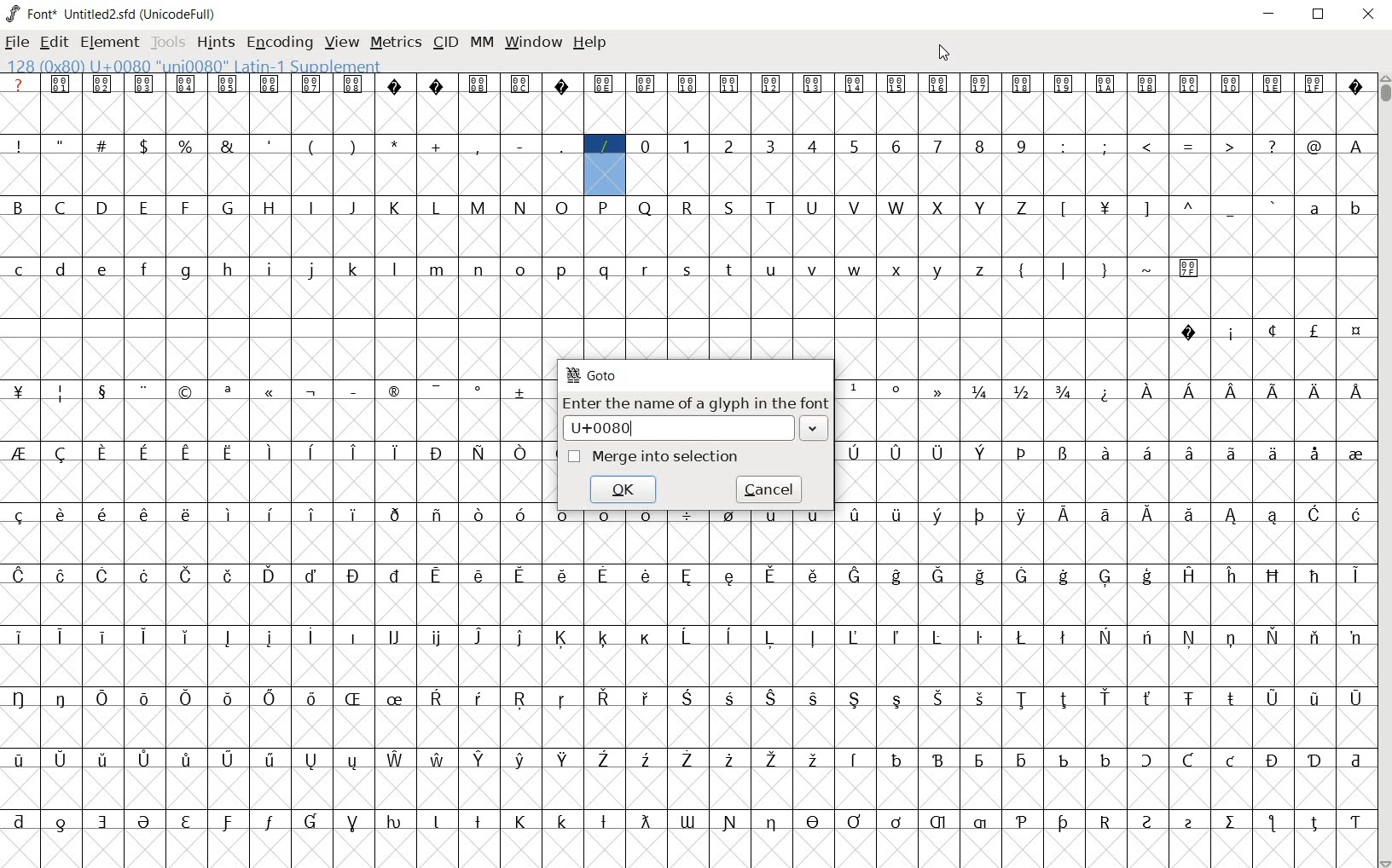  I want to click on glyph, so click(521, 392).